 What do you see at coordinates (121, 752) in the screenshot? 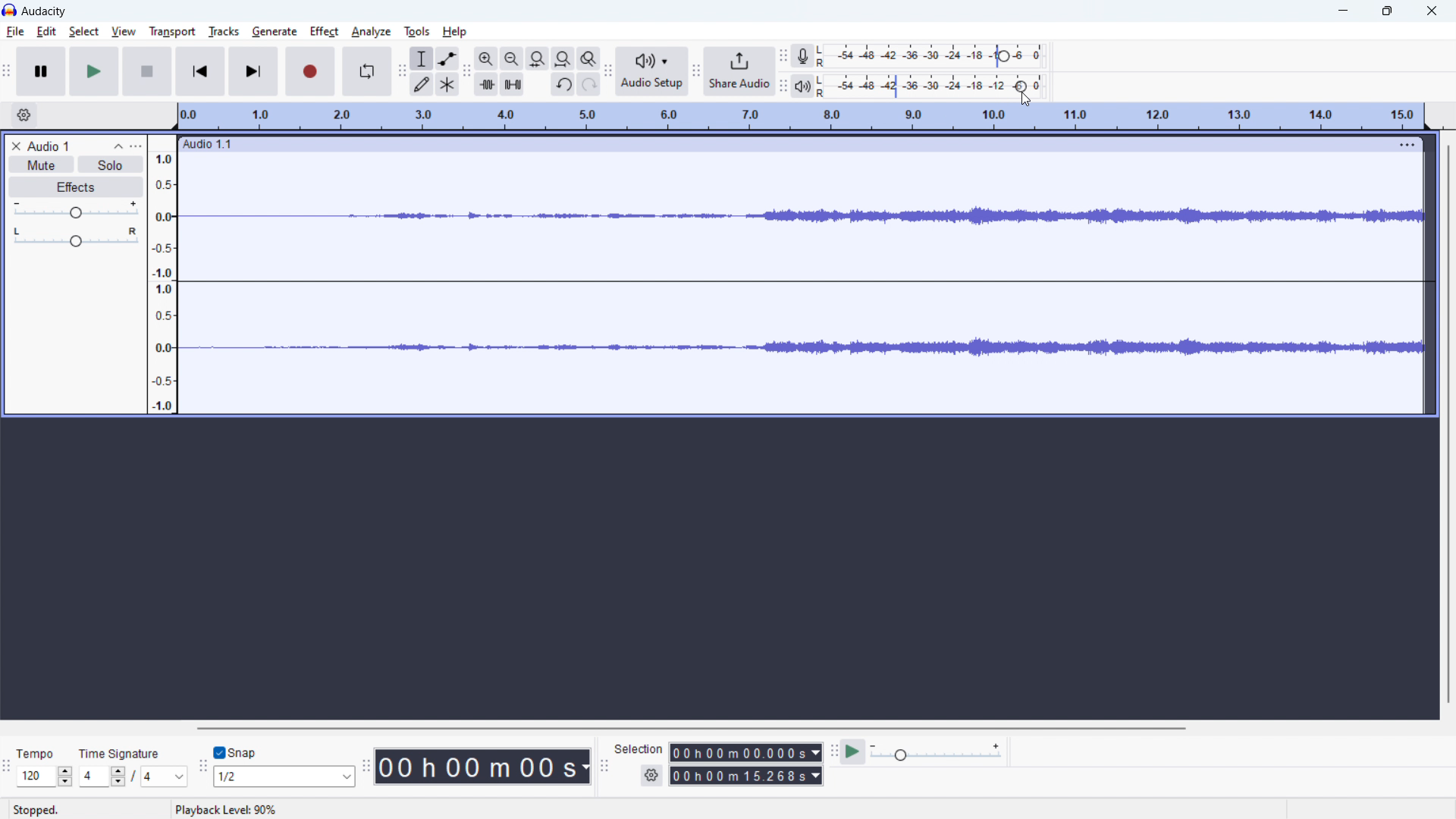
I see `Time Signature` at bounding box center [121, 752].